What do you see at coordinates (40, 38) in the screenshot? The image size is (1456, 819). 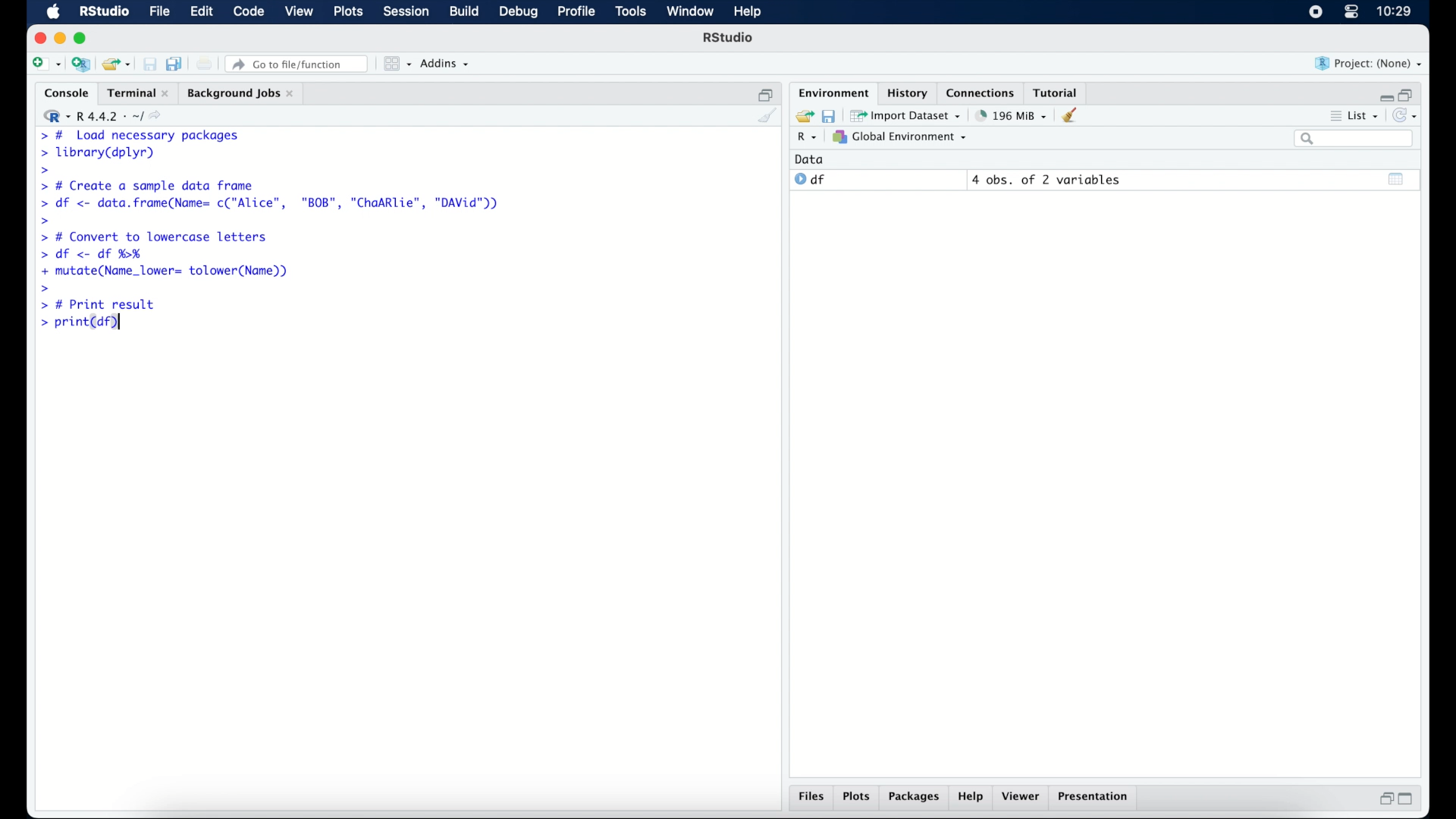 I see `close` at bounding box center [40, 38].